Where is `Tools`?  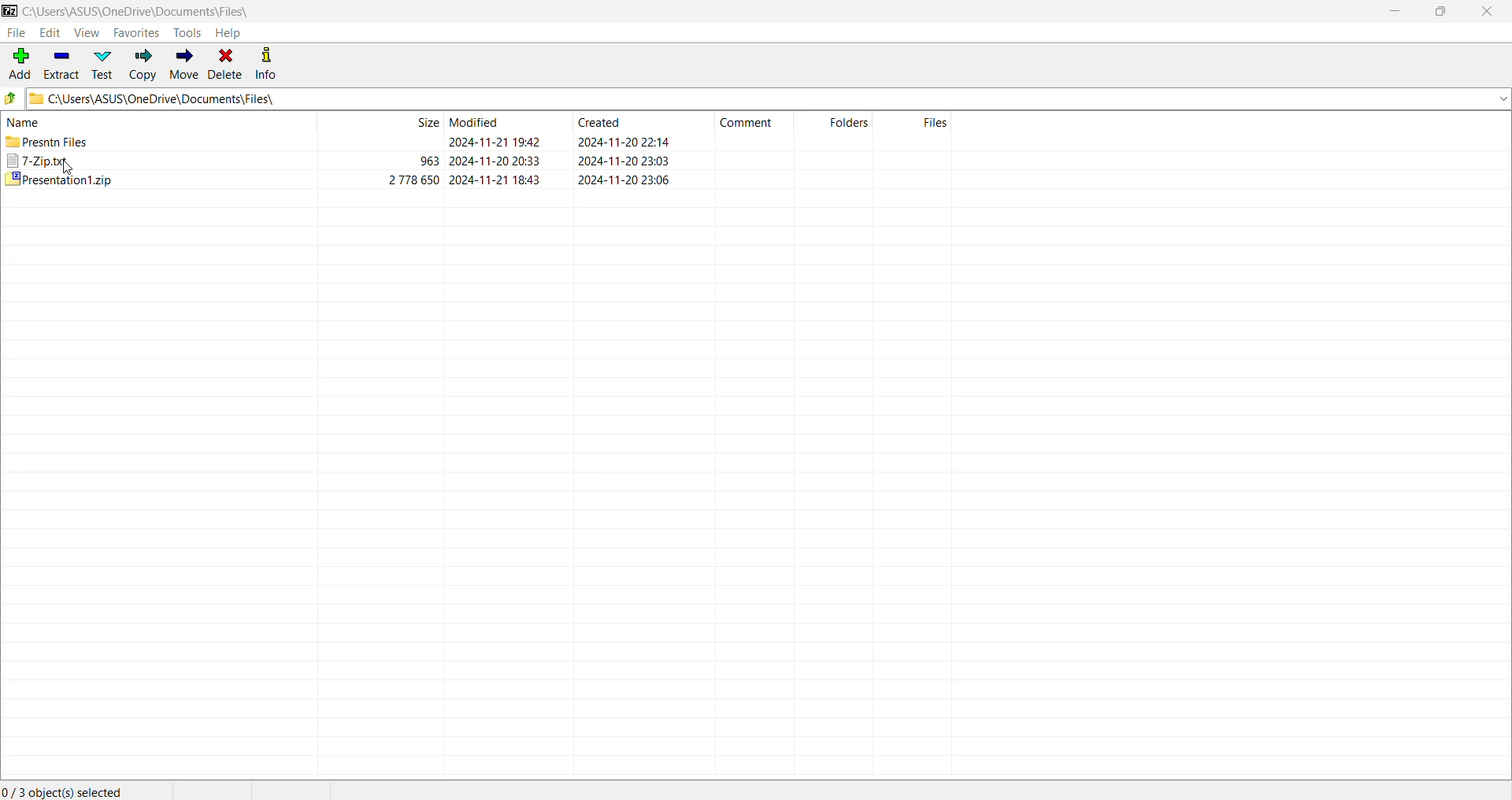
Tools is located at coordinates (187, 33).